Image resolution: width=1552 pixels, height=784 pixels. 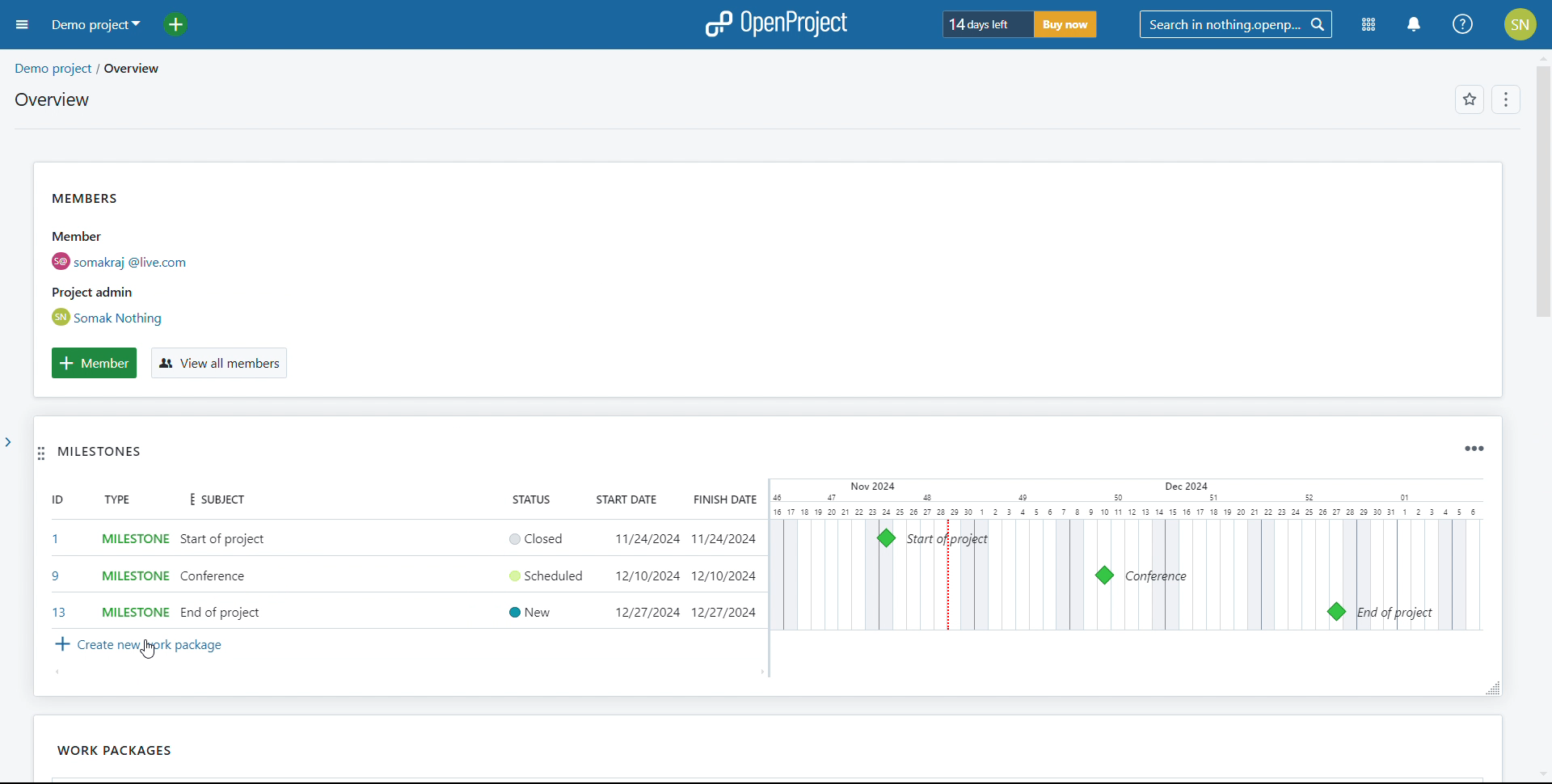 I want to click on members, so click(x=149, y=258).